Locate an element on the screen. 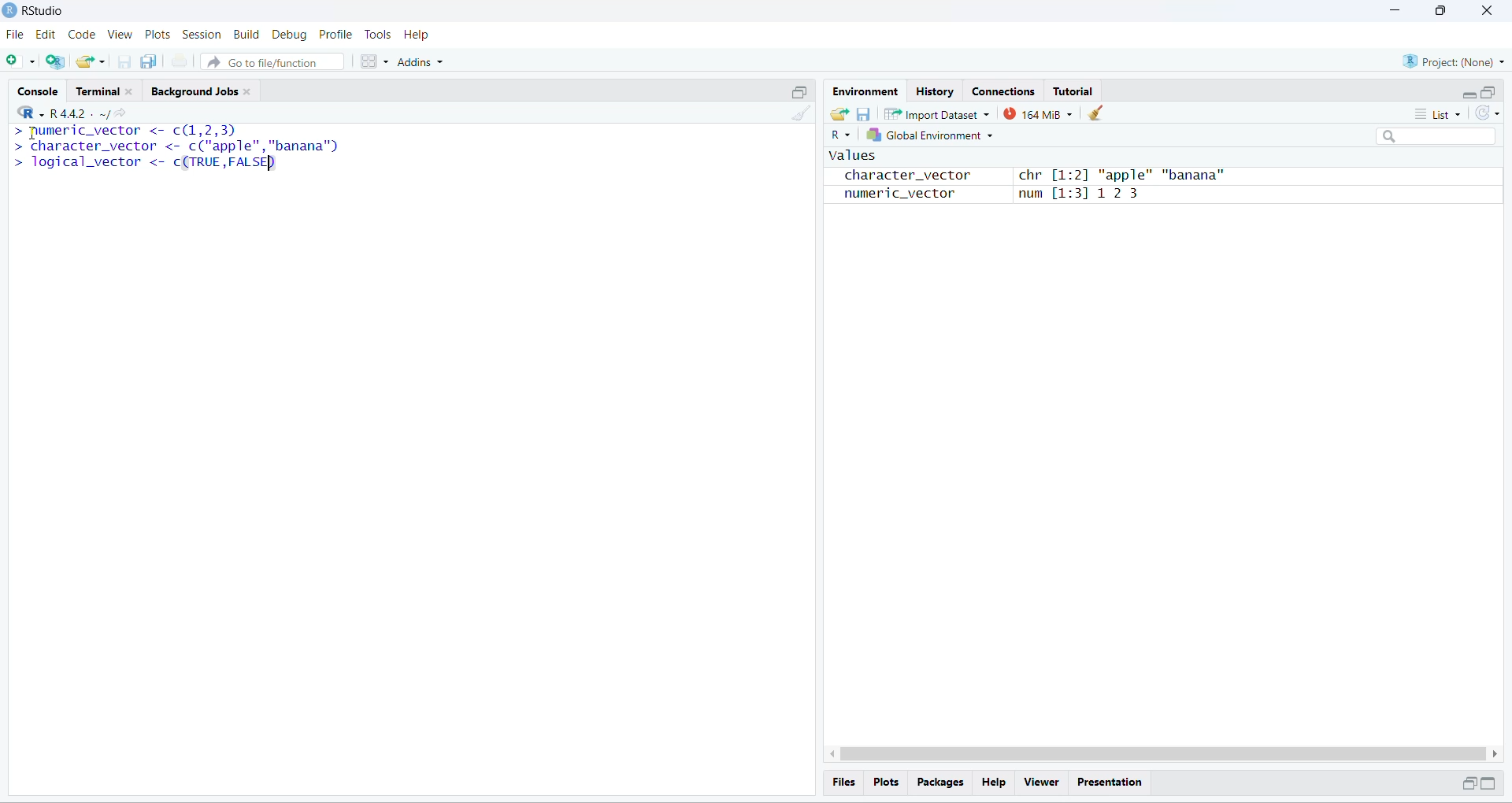 Image resolution: width=1512 pixels, height=803 pixels. Go to file/function is located at coordinates (271, 62).